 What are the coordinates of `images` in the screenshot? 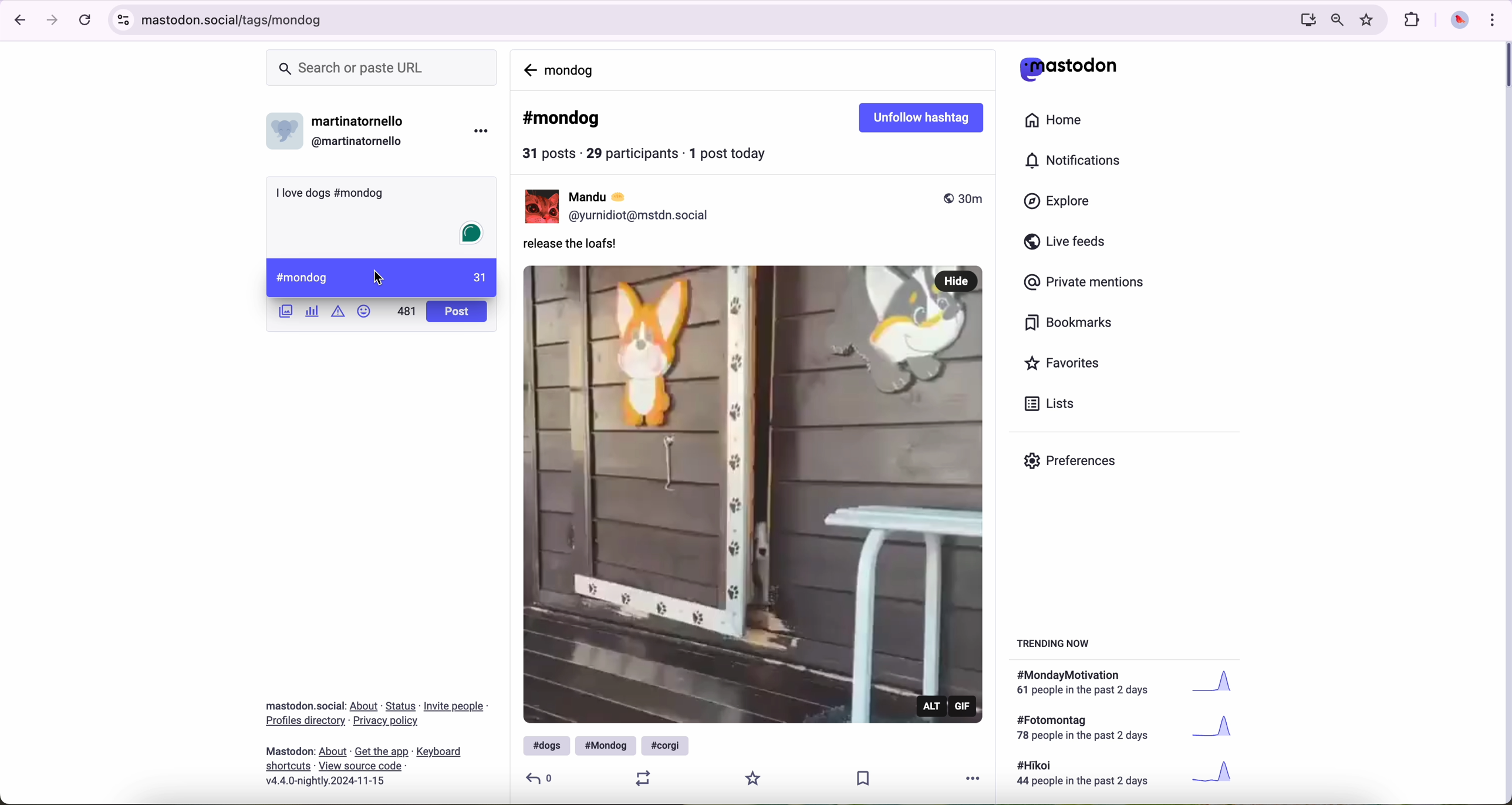 It's located at (286, 312).